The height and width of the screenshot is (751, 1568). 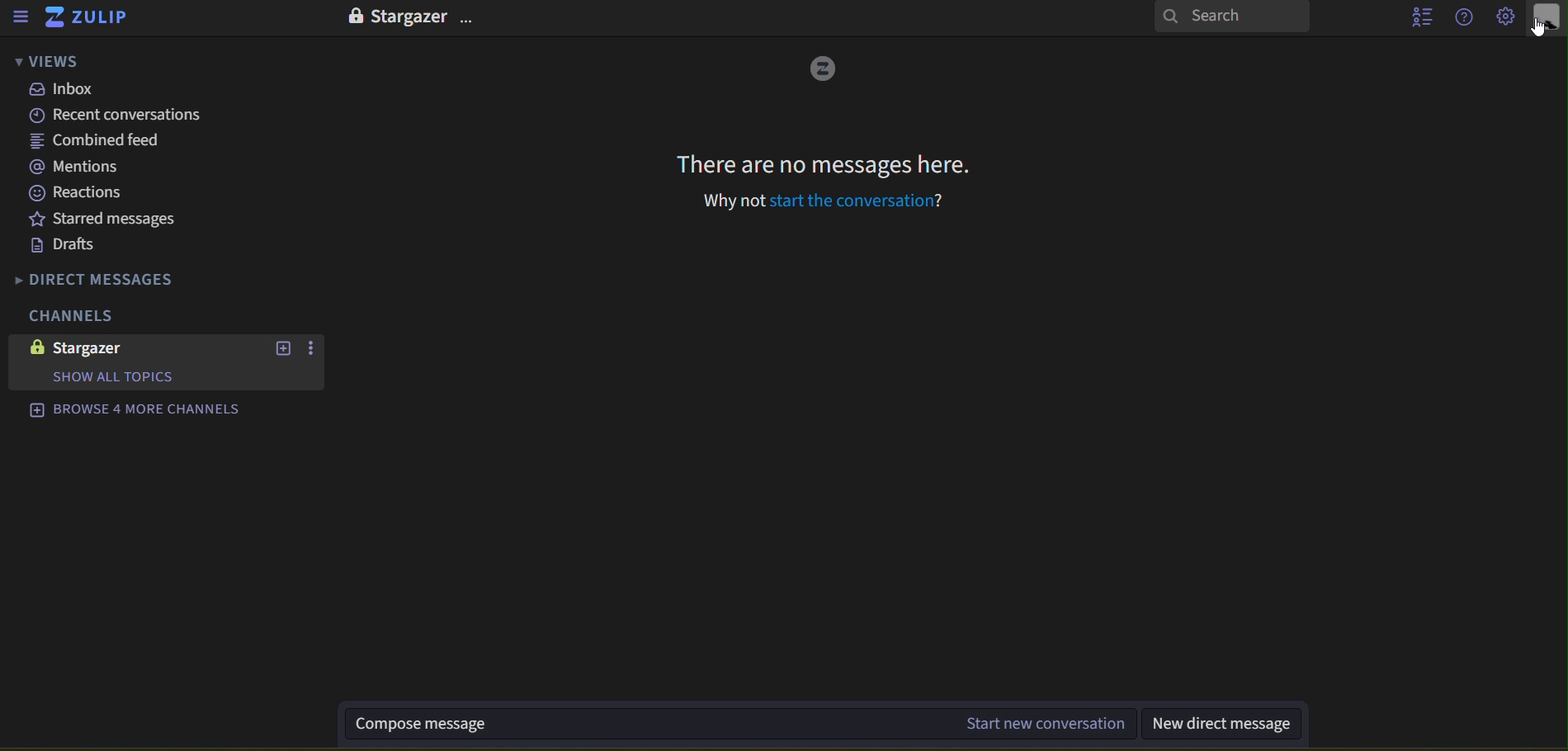 I want to click on new topic, so click(x=285, y=347).